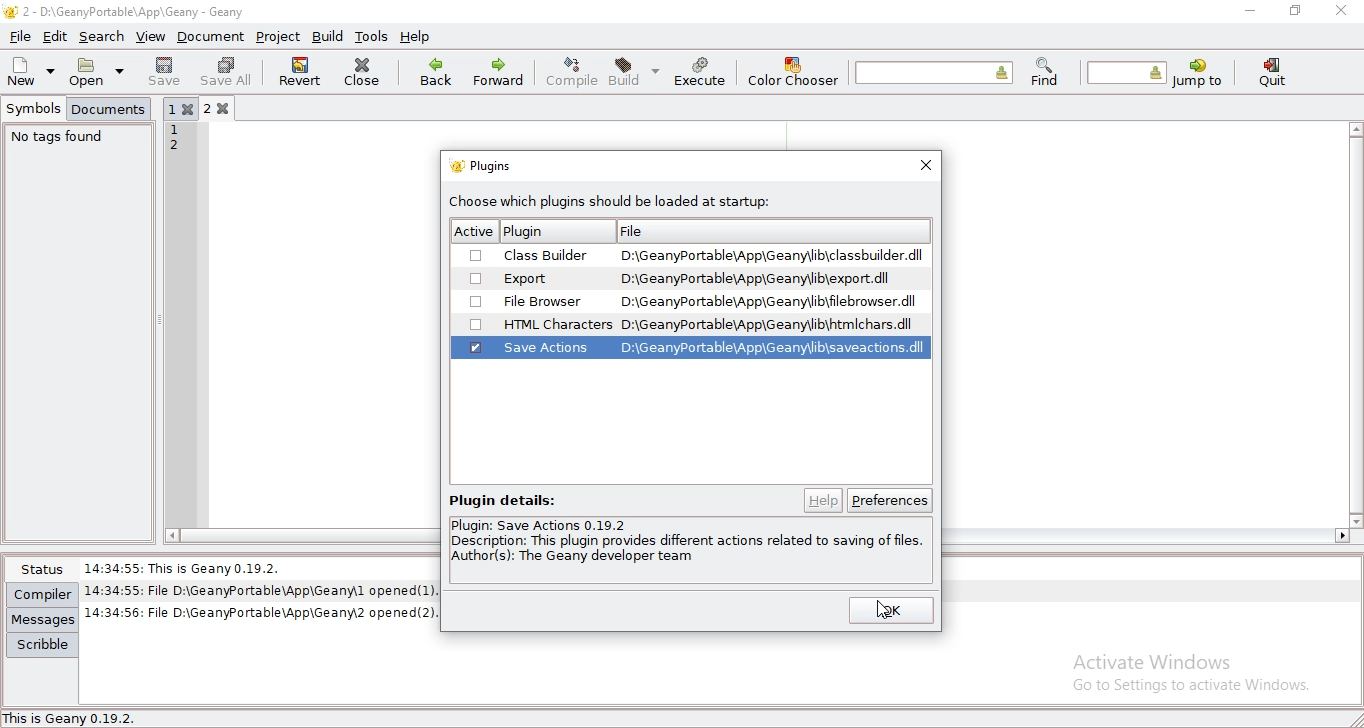 The height and width of the screenshot is (728, 1364). What do you see at coordinates (1127, 73) in the screenshot?
I see `jump to the entered line number` at bounding box center [1127, 73].